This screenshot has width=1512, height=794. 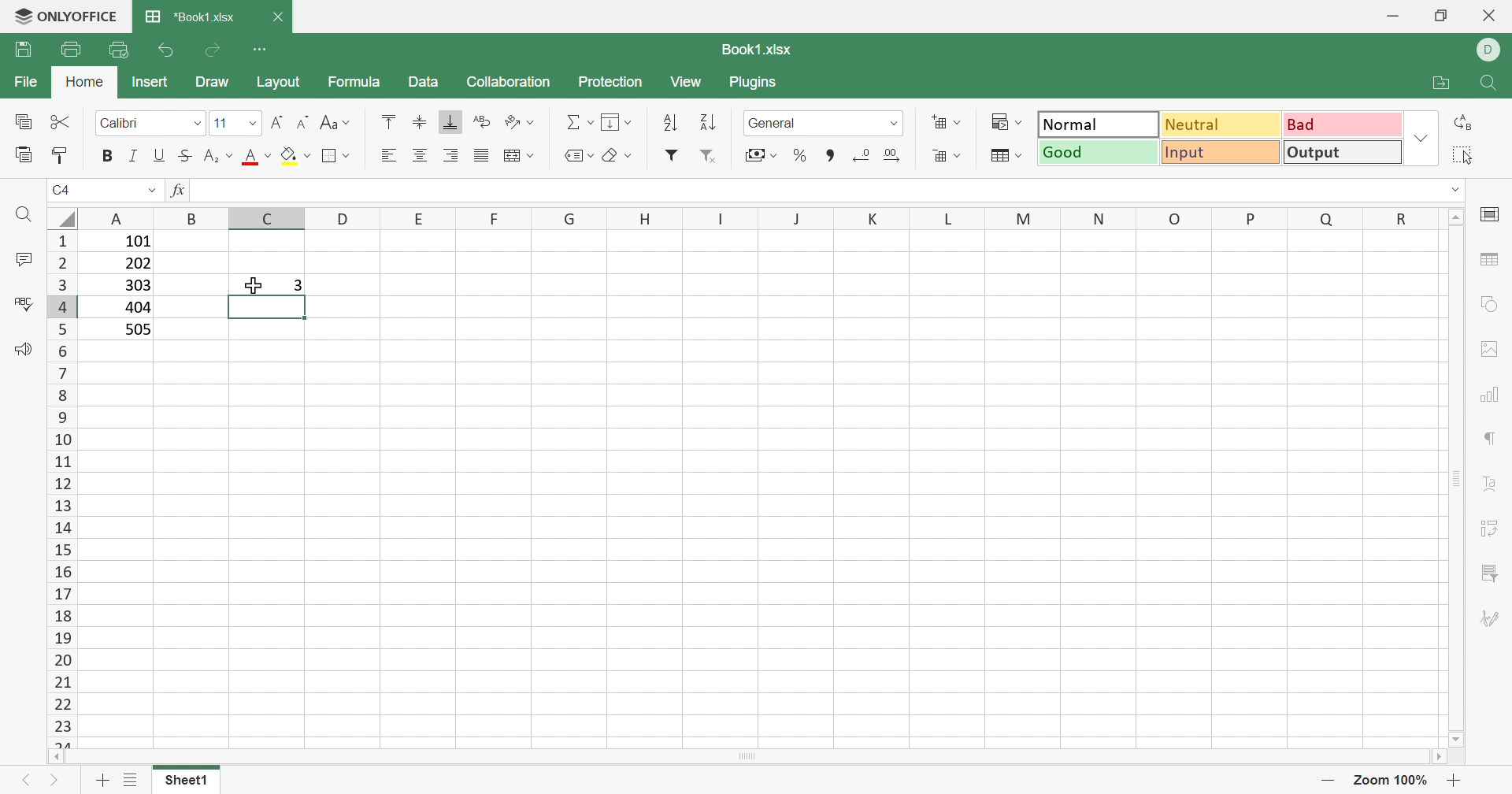 What do you see at coordinates (301, 121) in the screenshot?
I see `Decrement font size` at bounding box center [301, 121].